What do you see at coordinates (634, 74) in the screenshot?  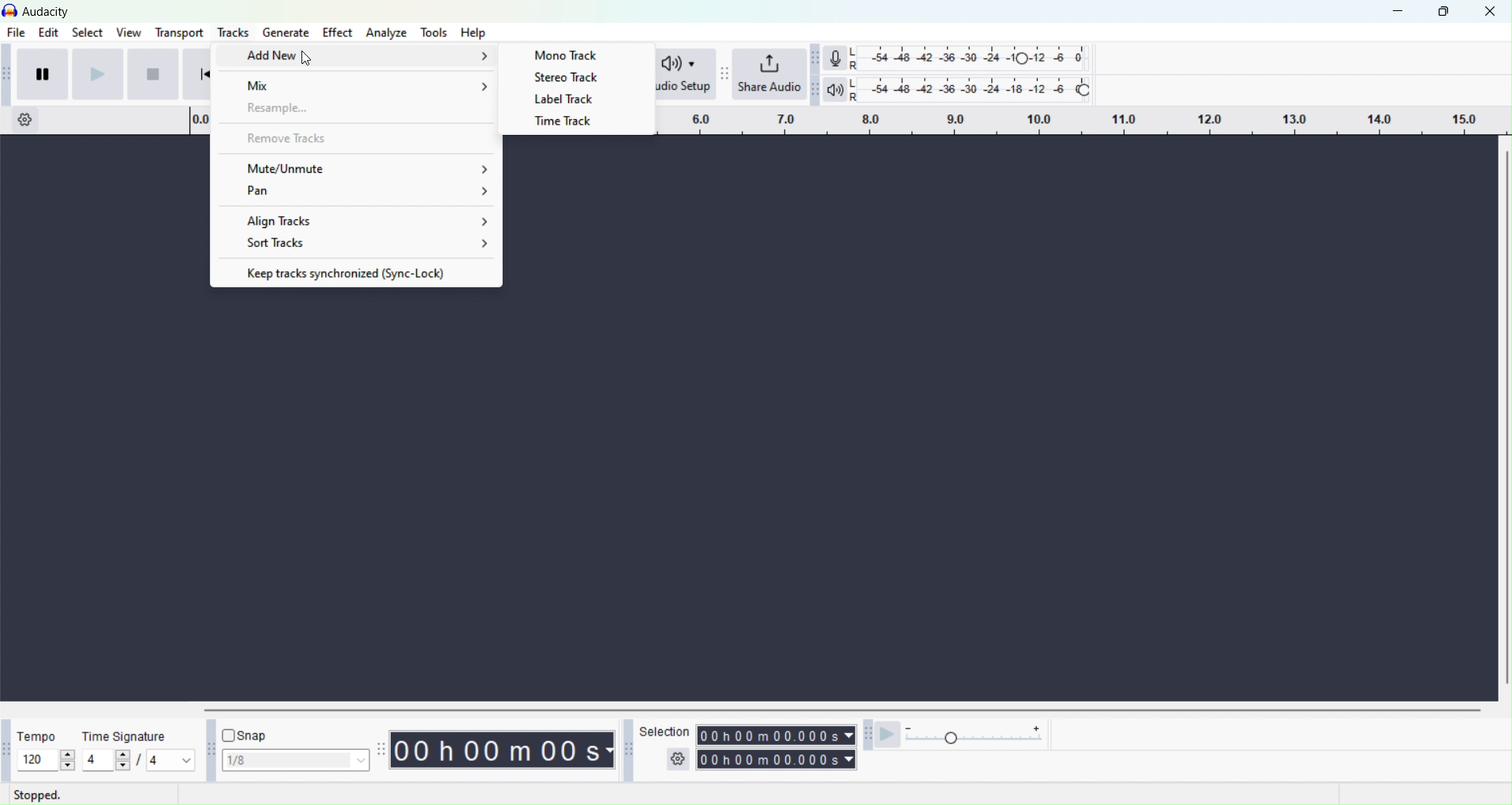 I see `Audacity audio setup toolbar` at bounding box center [634, 74].